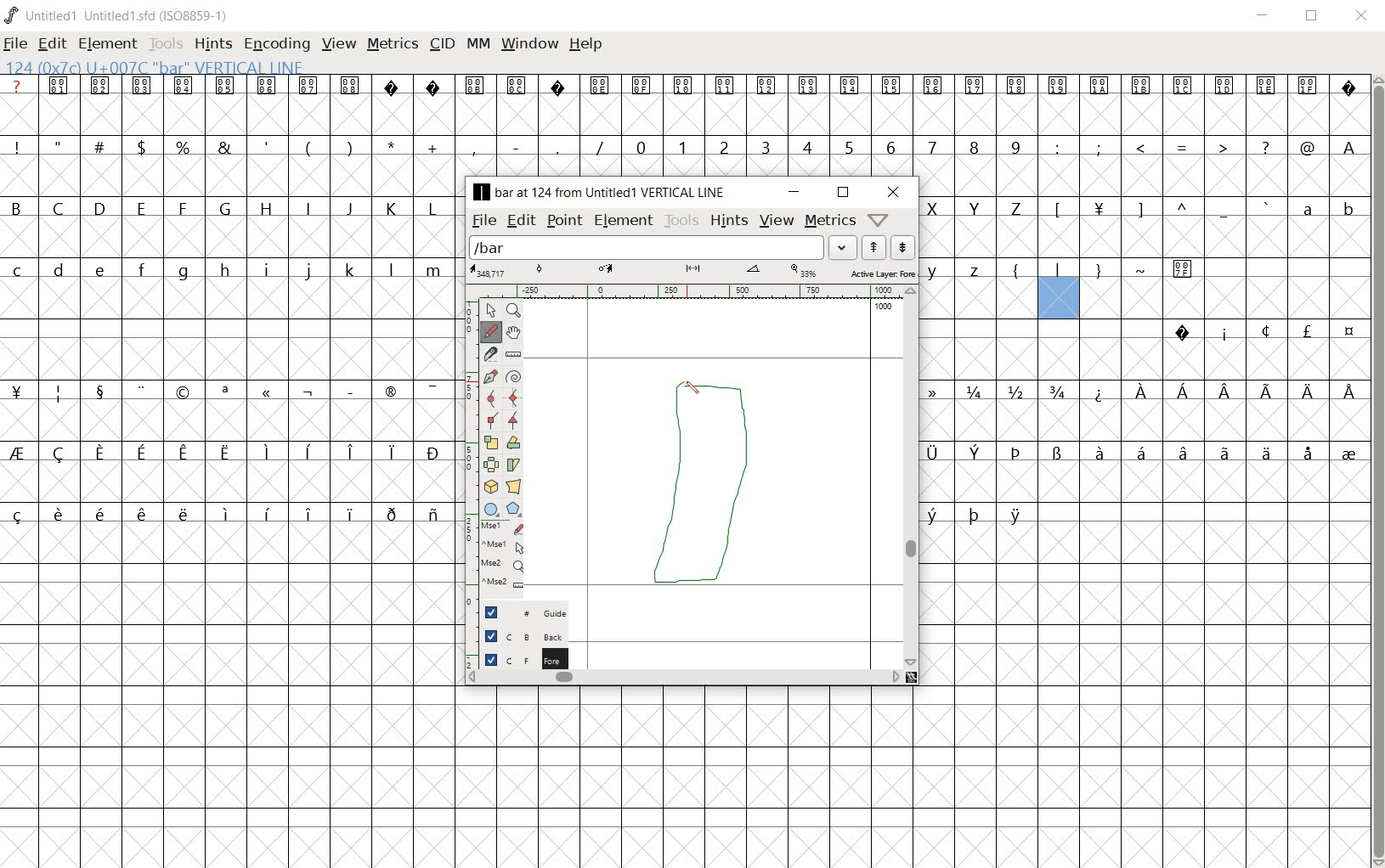  What do you see at coordinates (901, 248) in the screenshot?
I see `show the next word list` at bounding box center [901, 248].